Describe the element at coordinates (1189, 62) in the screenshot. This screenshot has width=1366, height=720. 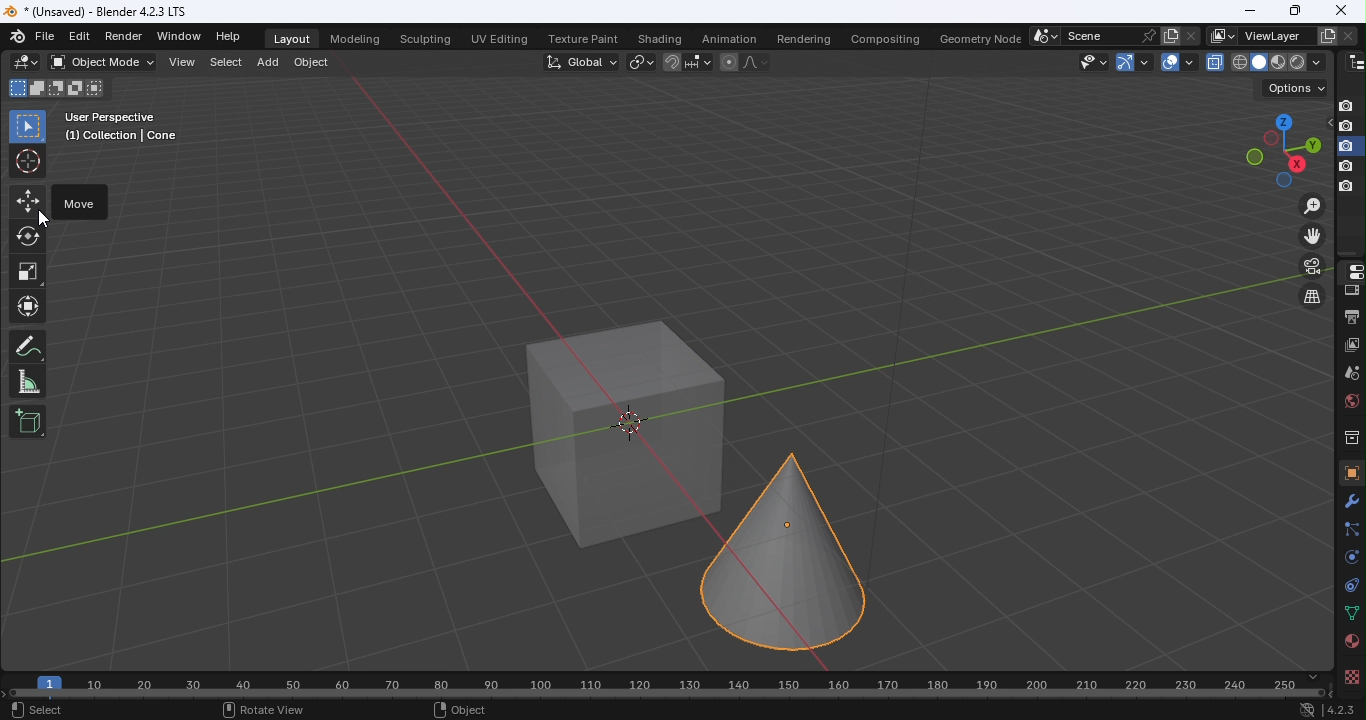
I see `Overlays` at that location.